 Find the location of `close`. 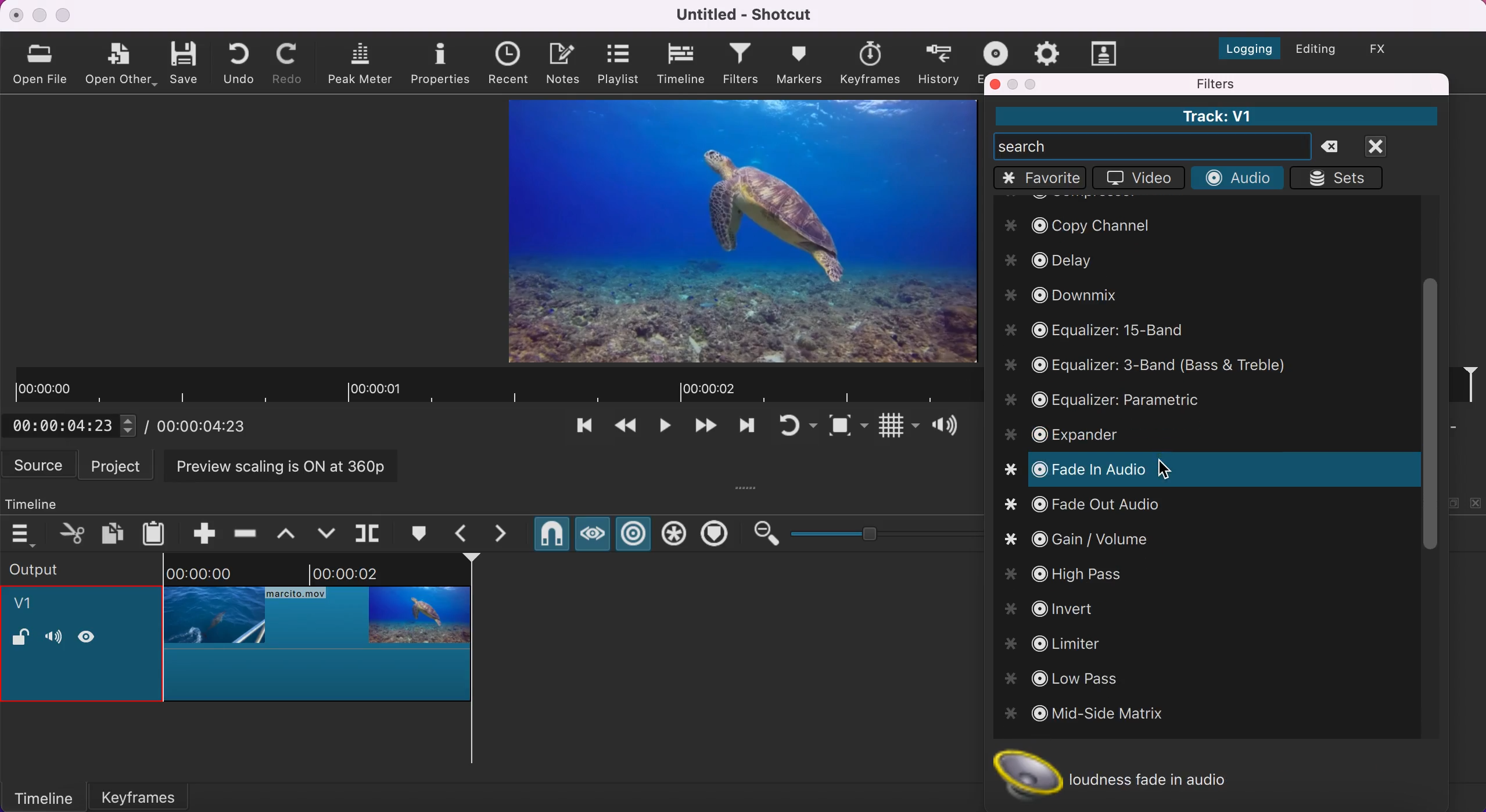

close is located at coordinates (17, 15).